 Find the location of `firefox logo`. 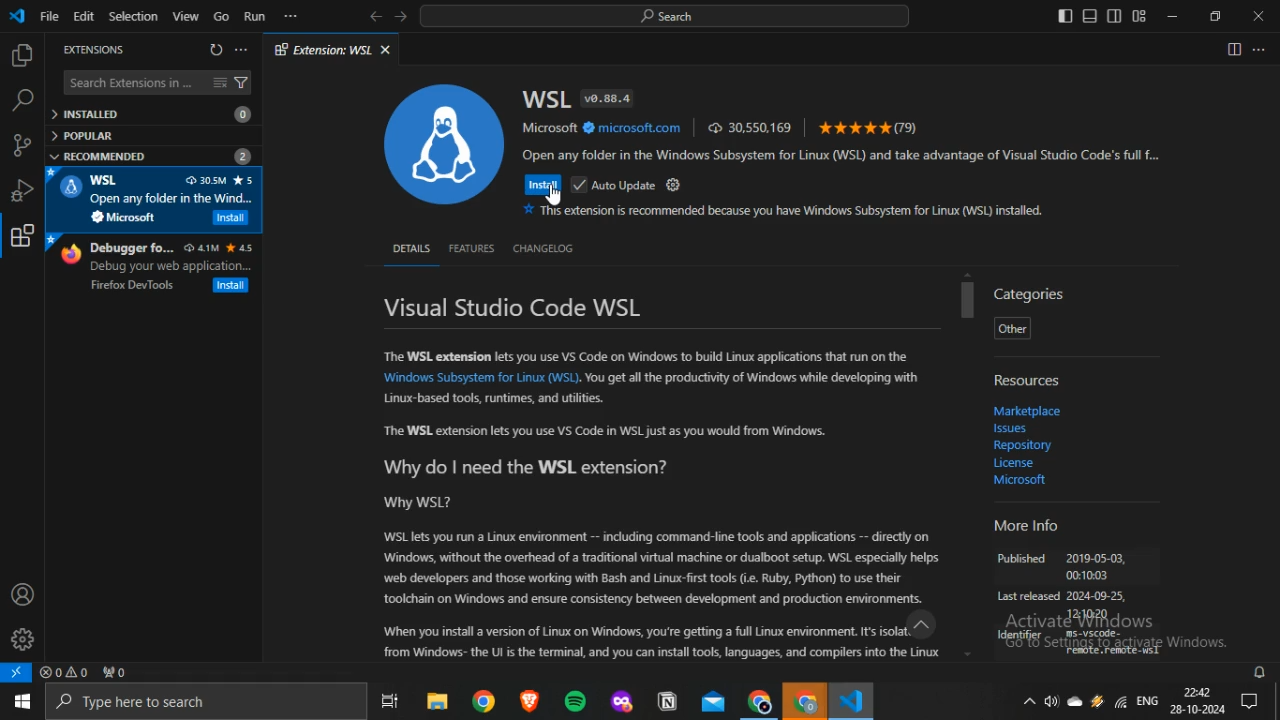

firefox logo is located at coordinates (69, 253).